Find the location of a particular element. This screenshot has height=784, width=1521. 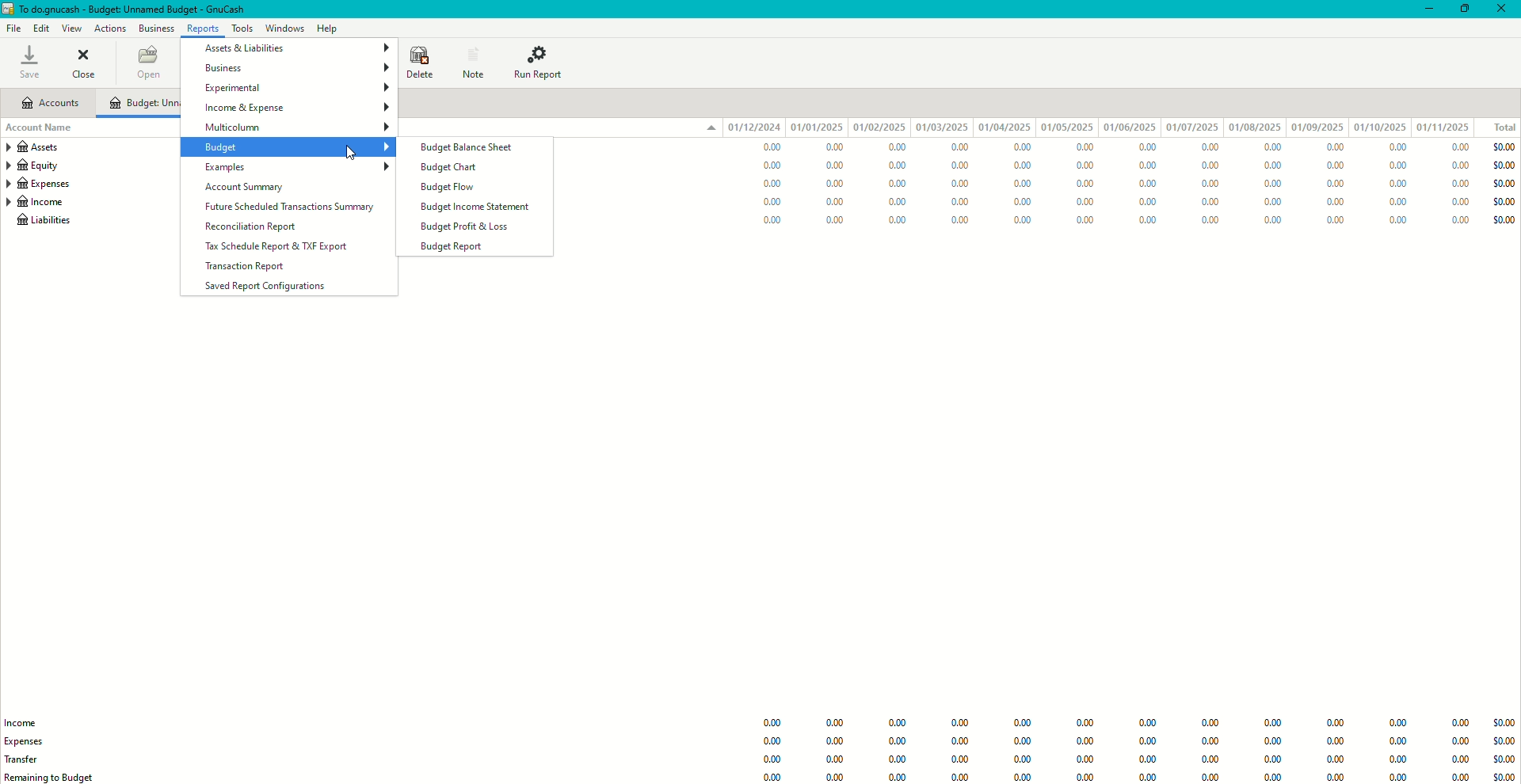

0.00 is located at coordinates (1205, 147).